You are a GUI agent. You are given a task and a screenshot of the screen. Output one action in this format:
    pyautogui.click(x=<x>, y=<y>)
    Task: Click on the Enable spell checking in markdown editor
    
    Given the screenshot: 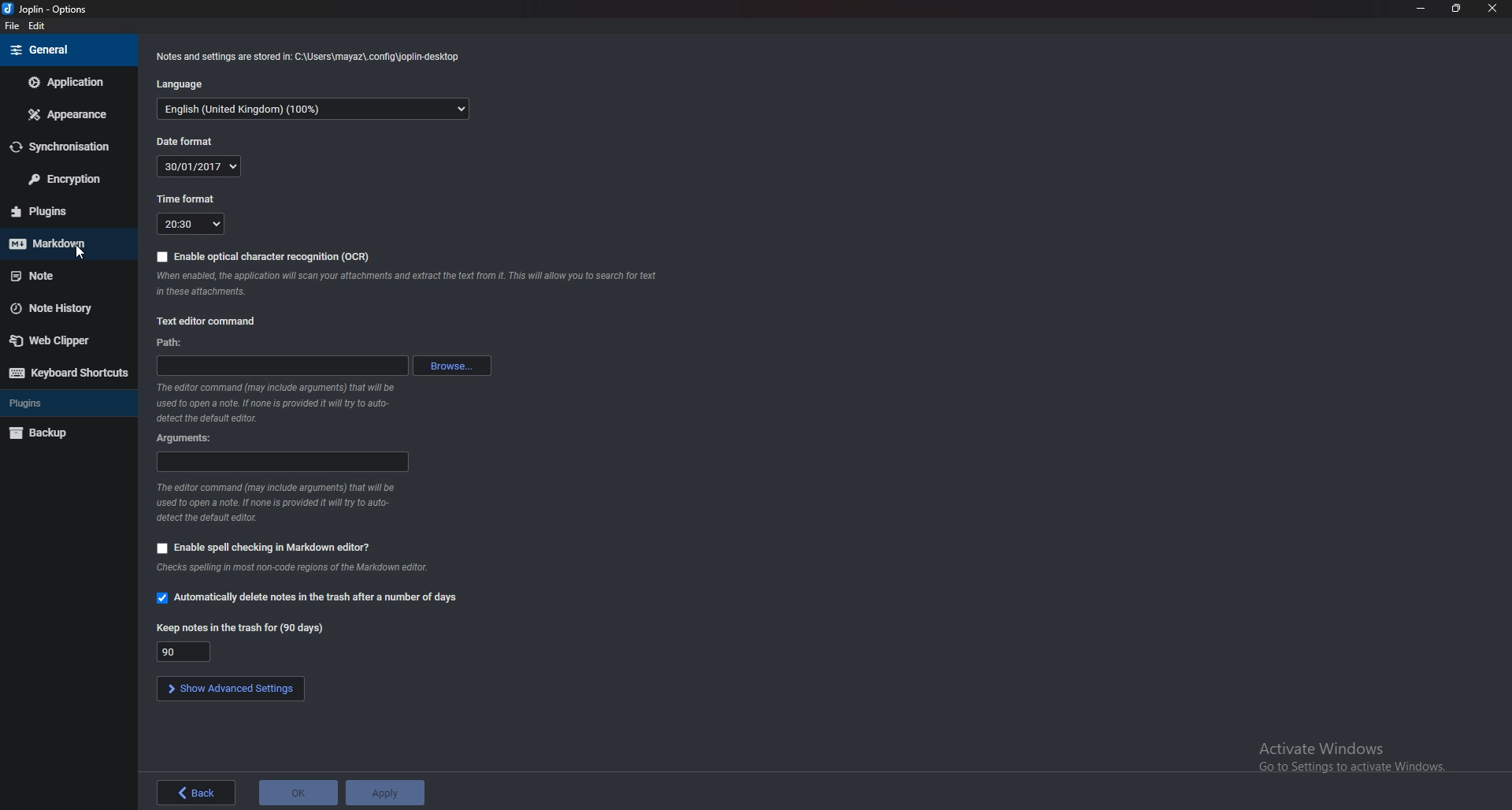 What is the action you would take?
    pyautogui.click(x=261, y=545)
    